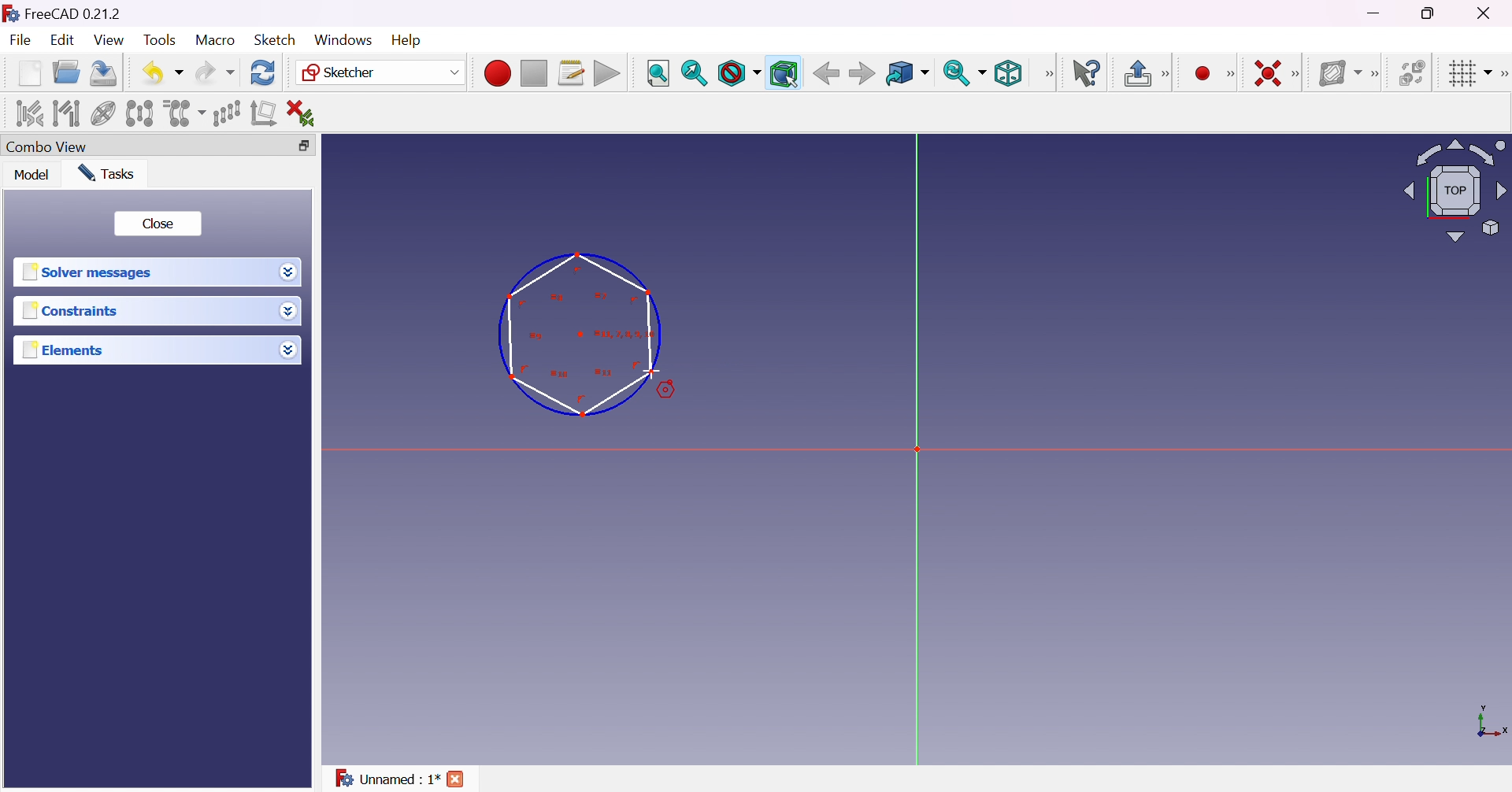  What do you see at coordinates (1434, 12) in the screenshot?
I see `Restore down` at bounding box center [1434, 12].